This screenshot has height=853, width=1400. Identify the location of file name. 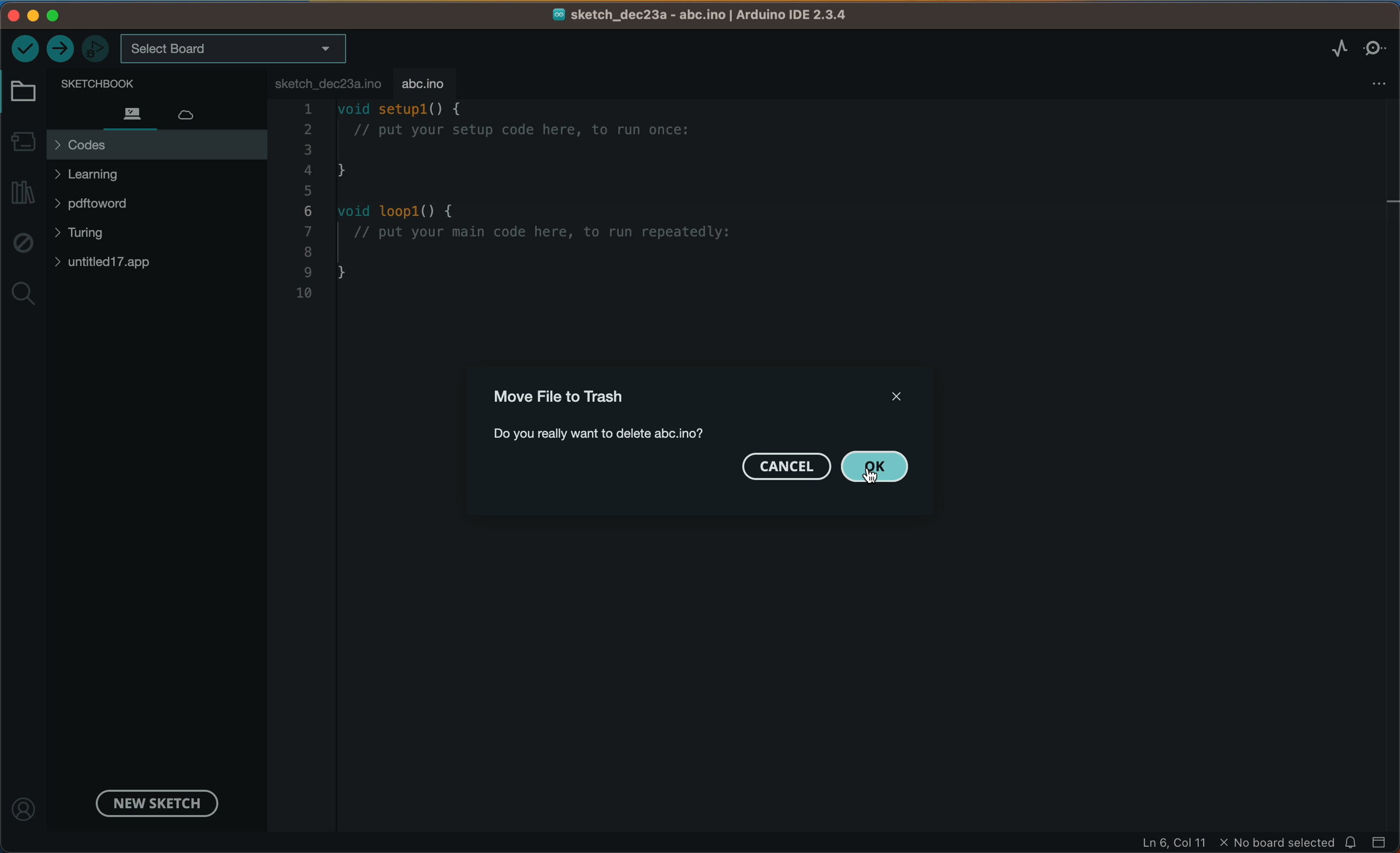
(670, 431).